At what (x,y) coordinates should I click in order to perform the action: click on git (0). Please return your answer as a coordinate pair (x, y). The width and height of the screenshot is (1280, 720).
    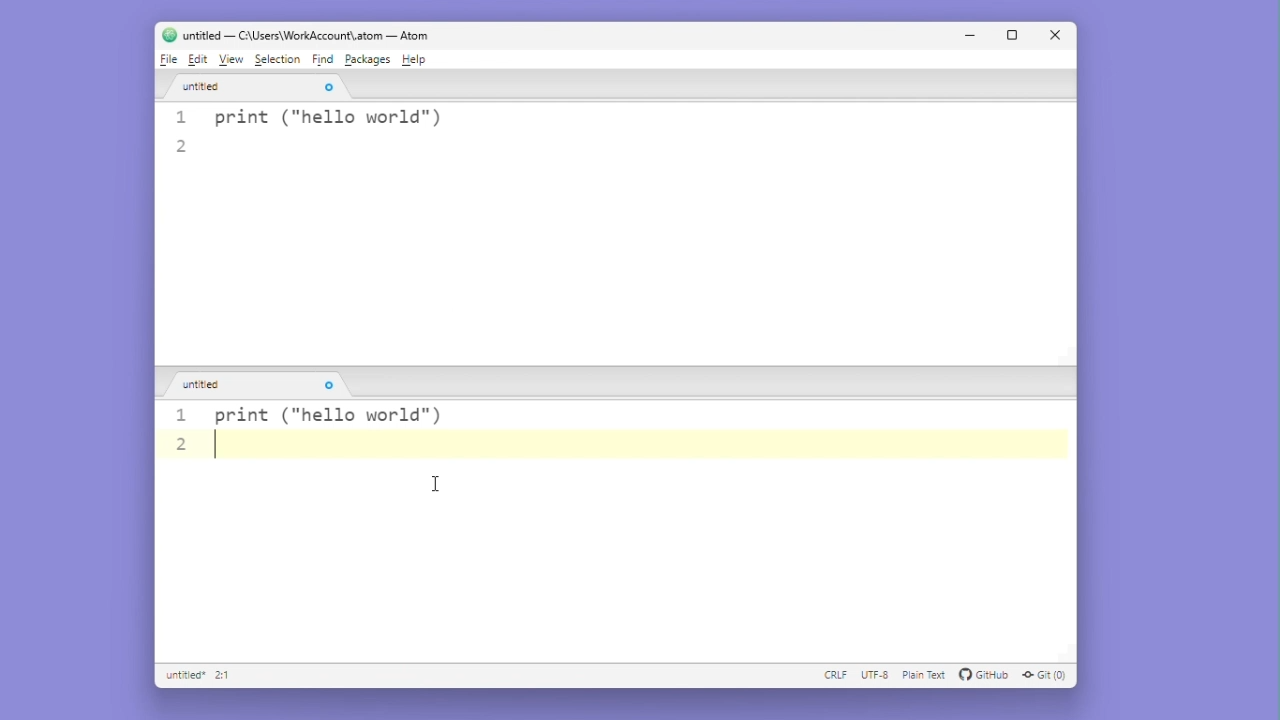
    Looking at the image, I should click on (1050, 675).